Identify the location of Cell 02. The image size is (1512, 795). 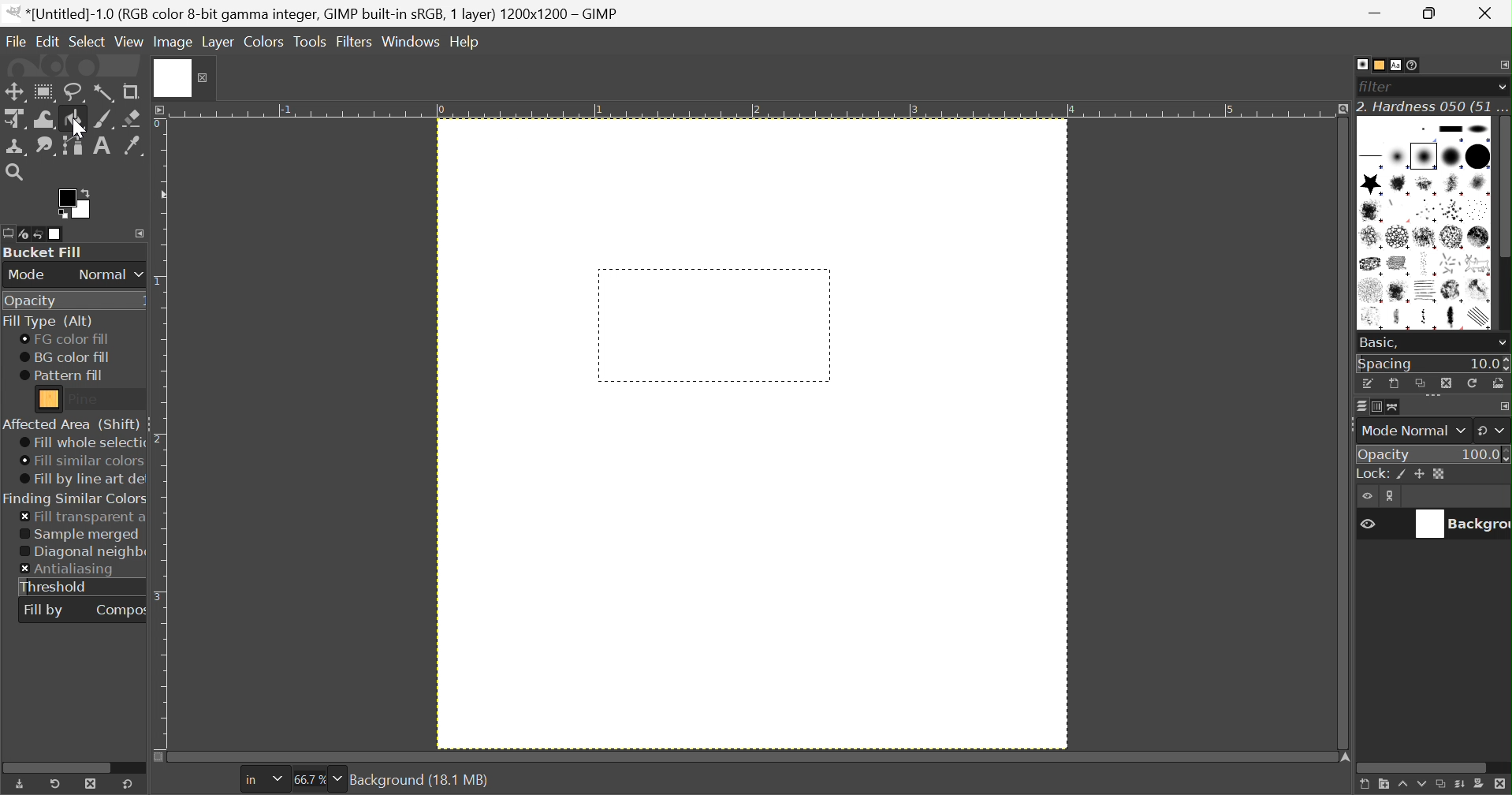
(1398, 238).